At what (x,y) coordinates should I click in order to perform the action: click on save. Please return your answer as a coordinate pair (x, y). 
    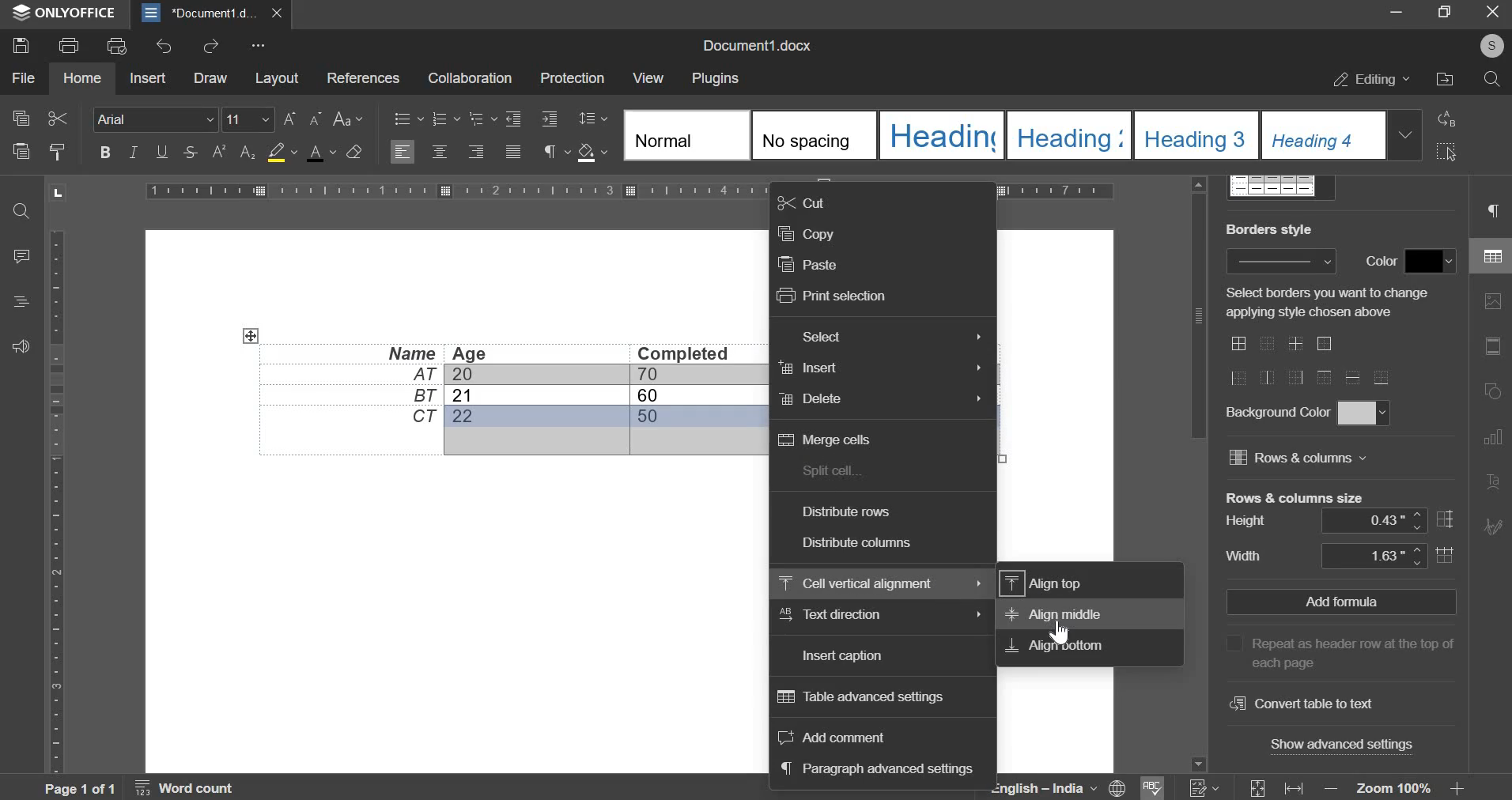
    Looking at the image, I should click on (20, 44).